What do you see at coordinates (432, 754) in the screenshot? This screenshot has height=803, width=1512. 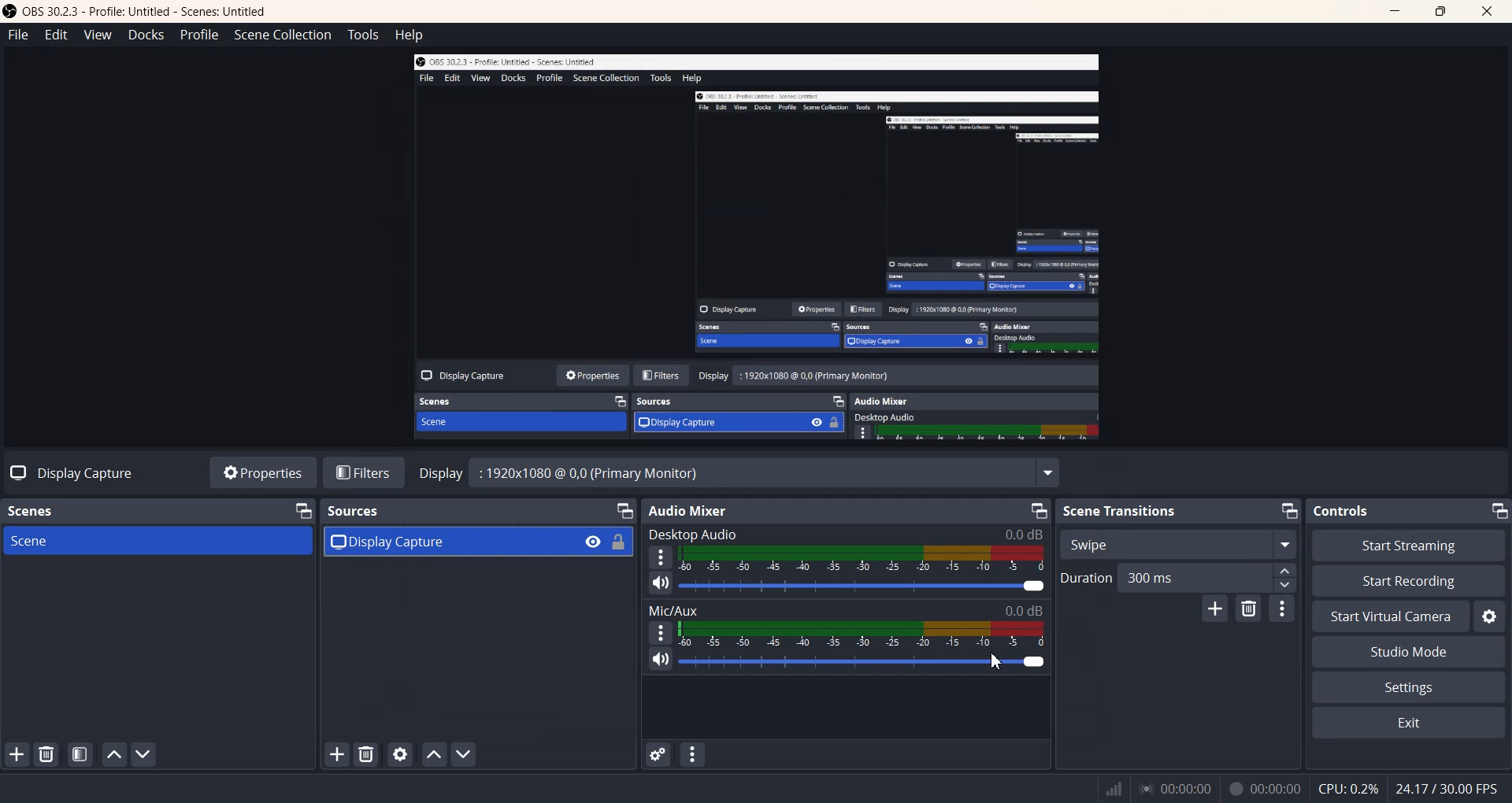 I see `Move Source Up` at bounding box center [432, 754].